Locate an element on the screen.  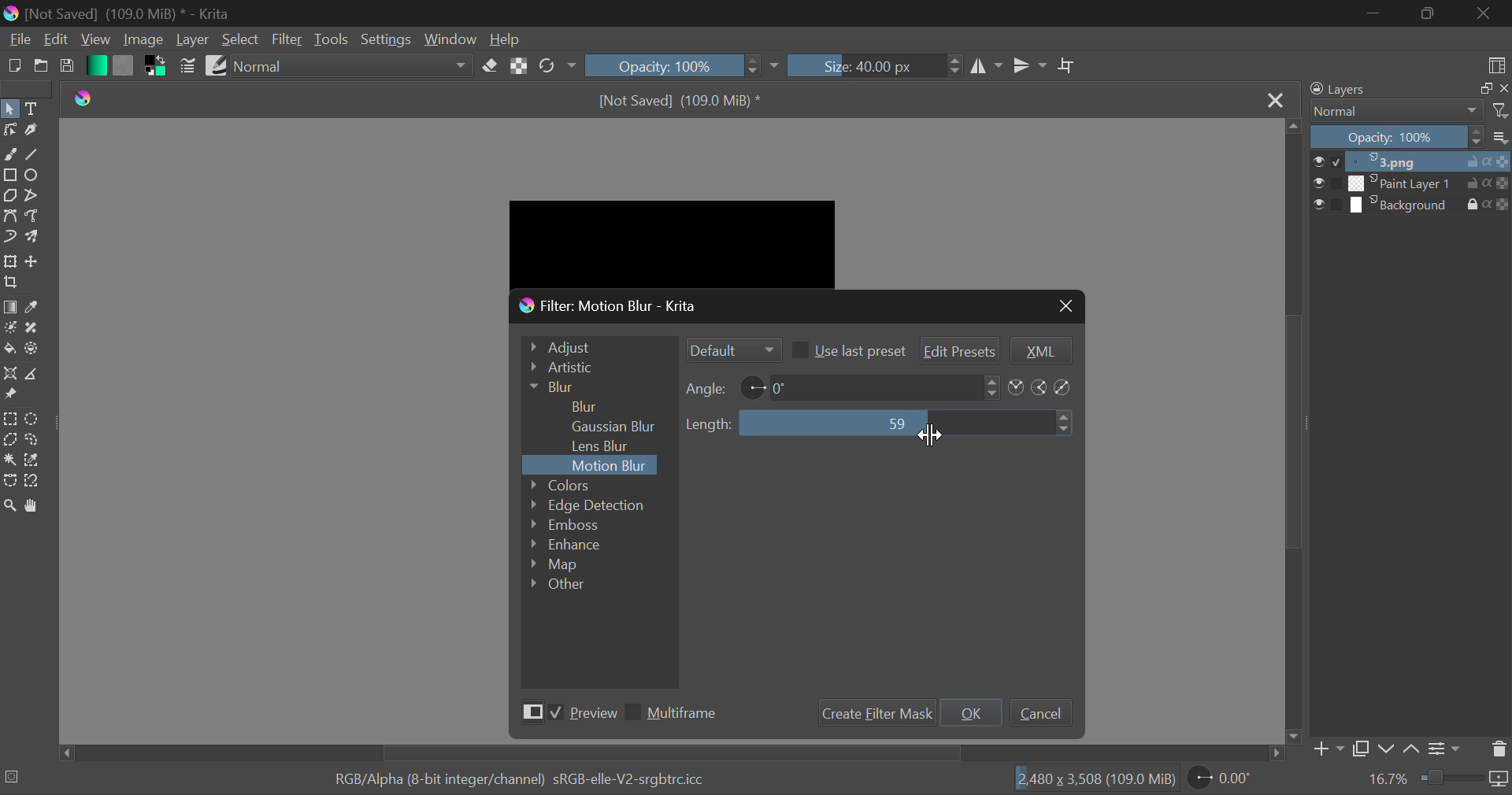
Window is located at coordinates (450, 39).